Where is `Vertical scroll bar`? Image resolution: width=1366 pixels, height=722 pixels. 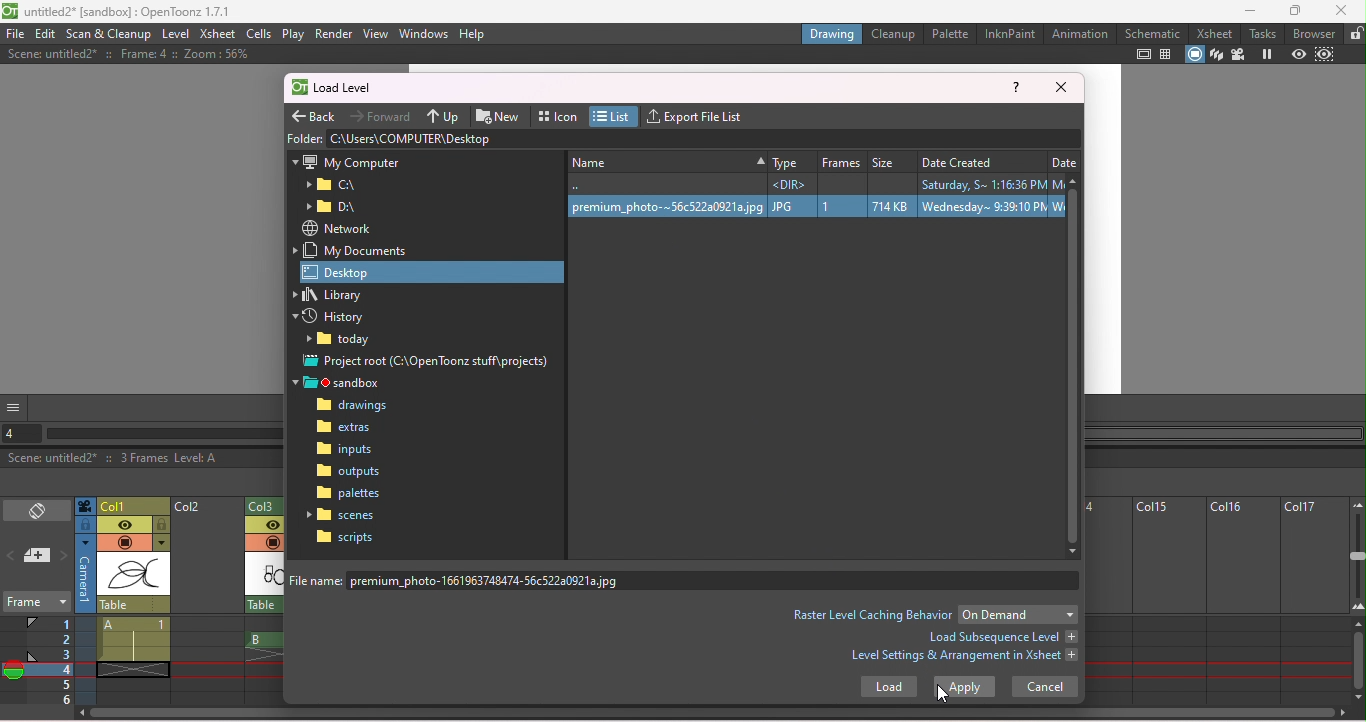
Vertical scroll bar is located at coordinates (1075, 366).